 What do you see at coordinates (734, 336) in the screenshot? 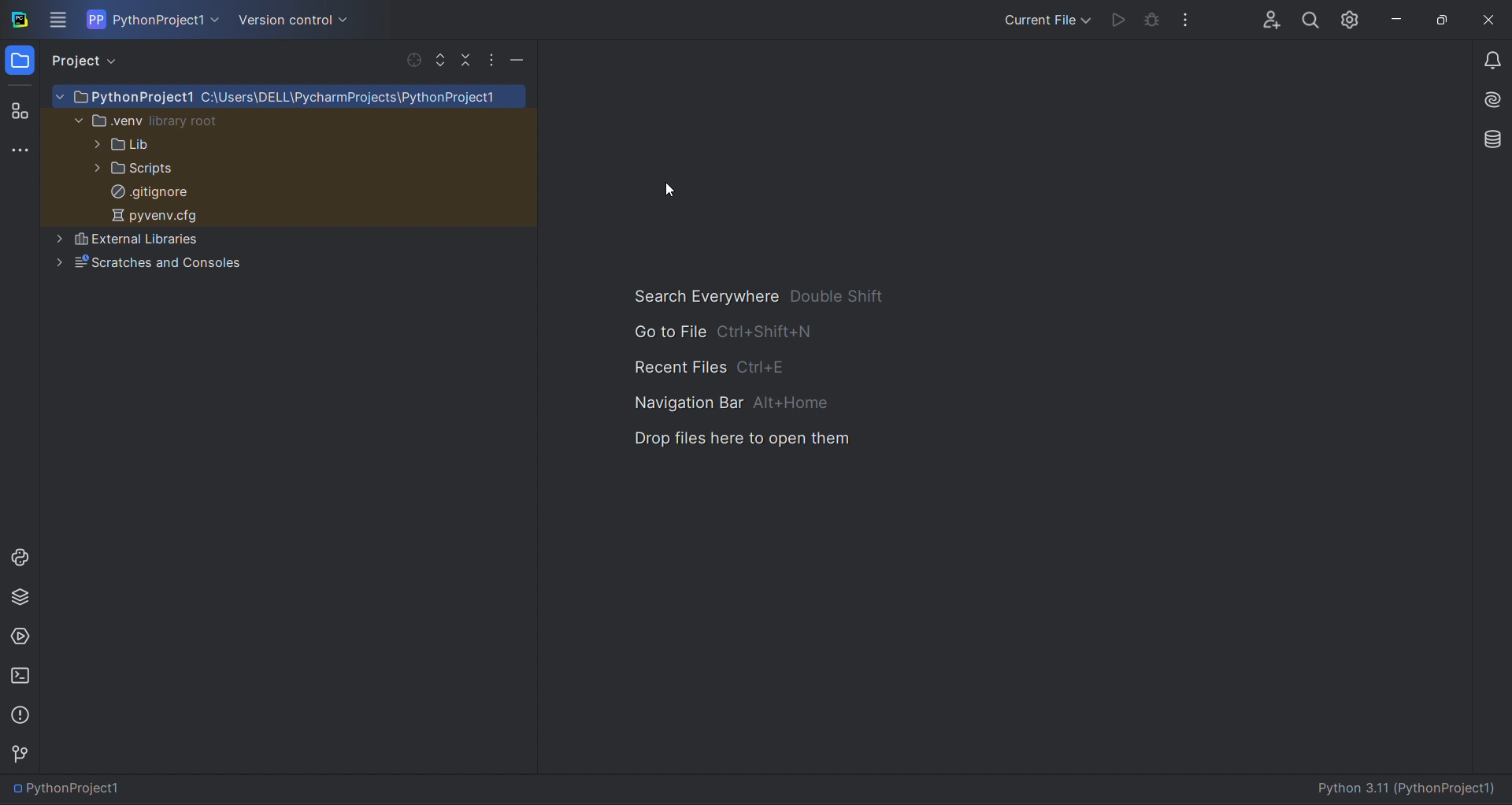
I see `Go to File` at bounding box center [734, 336].